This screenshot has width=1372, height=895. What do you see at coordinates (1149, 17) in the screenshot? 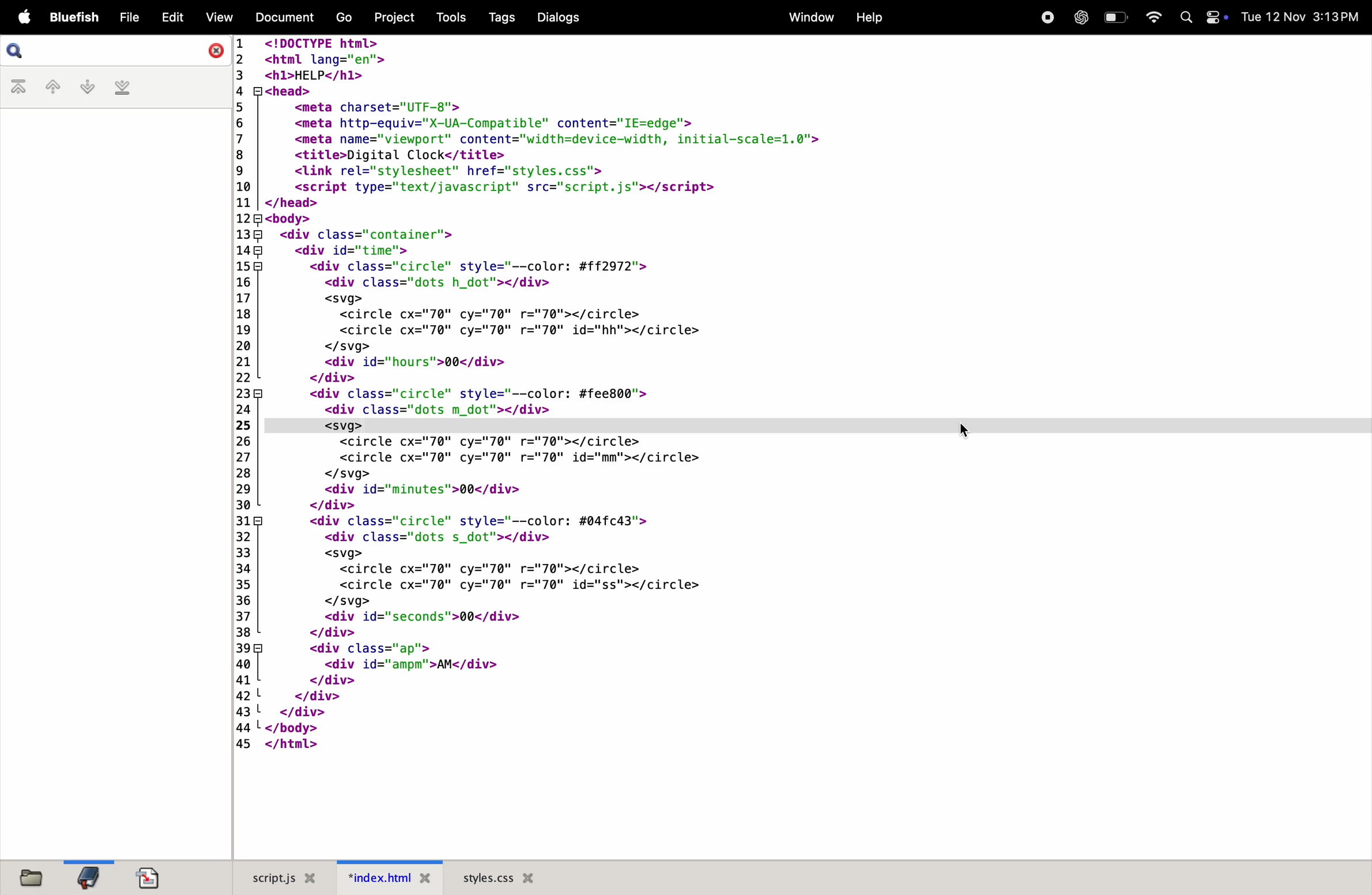
I see `wifi` at bounding box center [1149, 17].